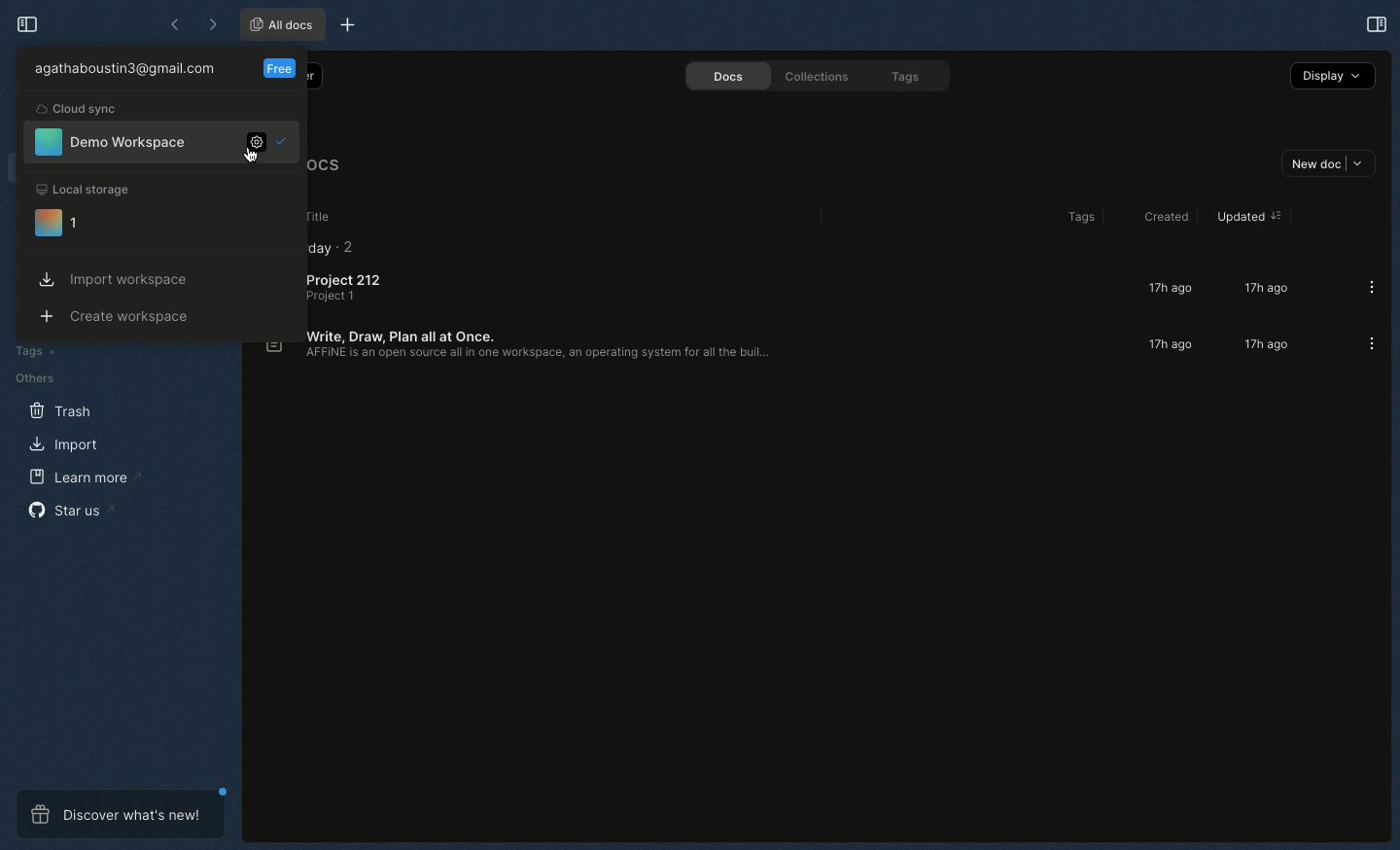 The height and width of the screenshot is (850, 1400). I want to click on Tags, so click(901, 76).